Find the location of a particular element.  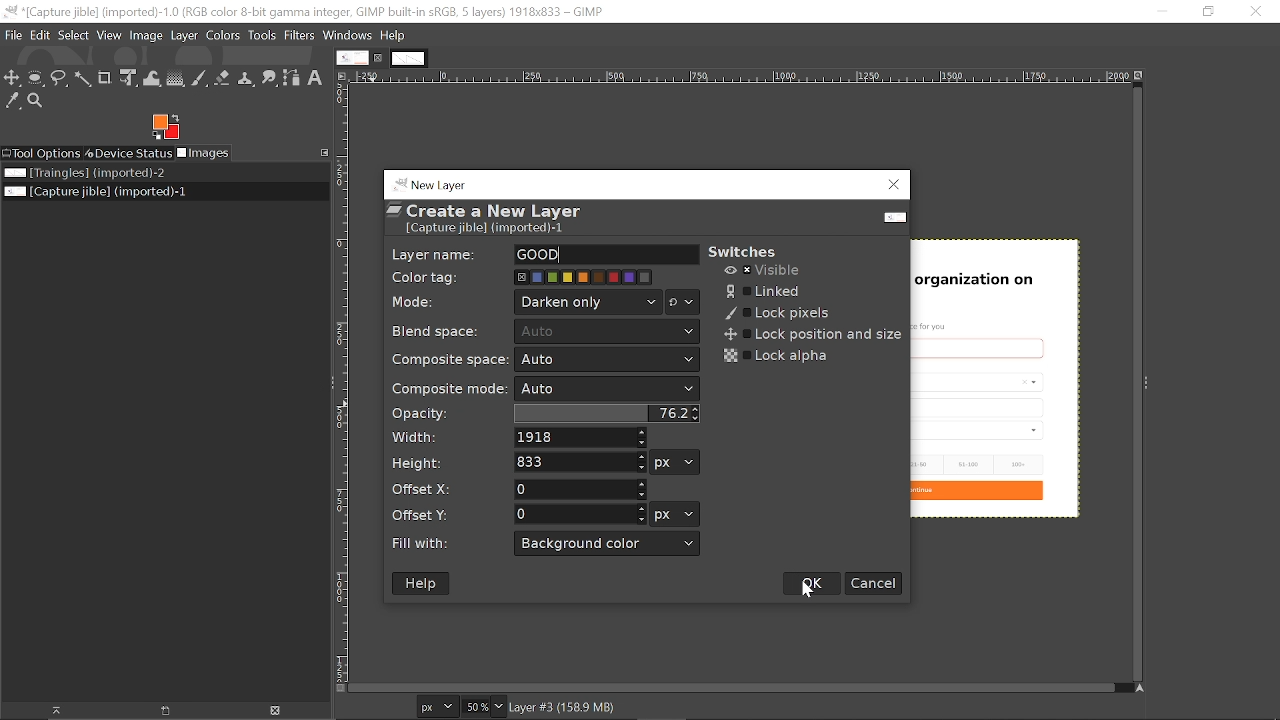

Height: is located at coordinates (425, 466).